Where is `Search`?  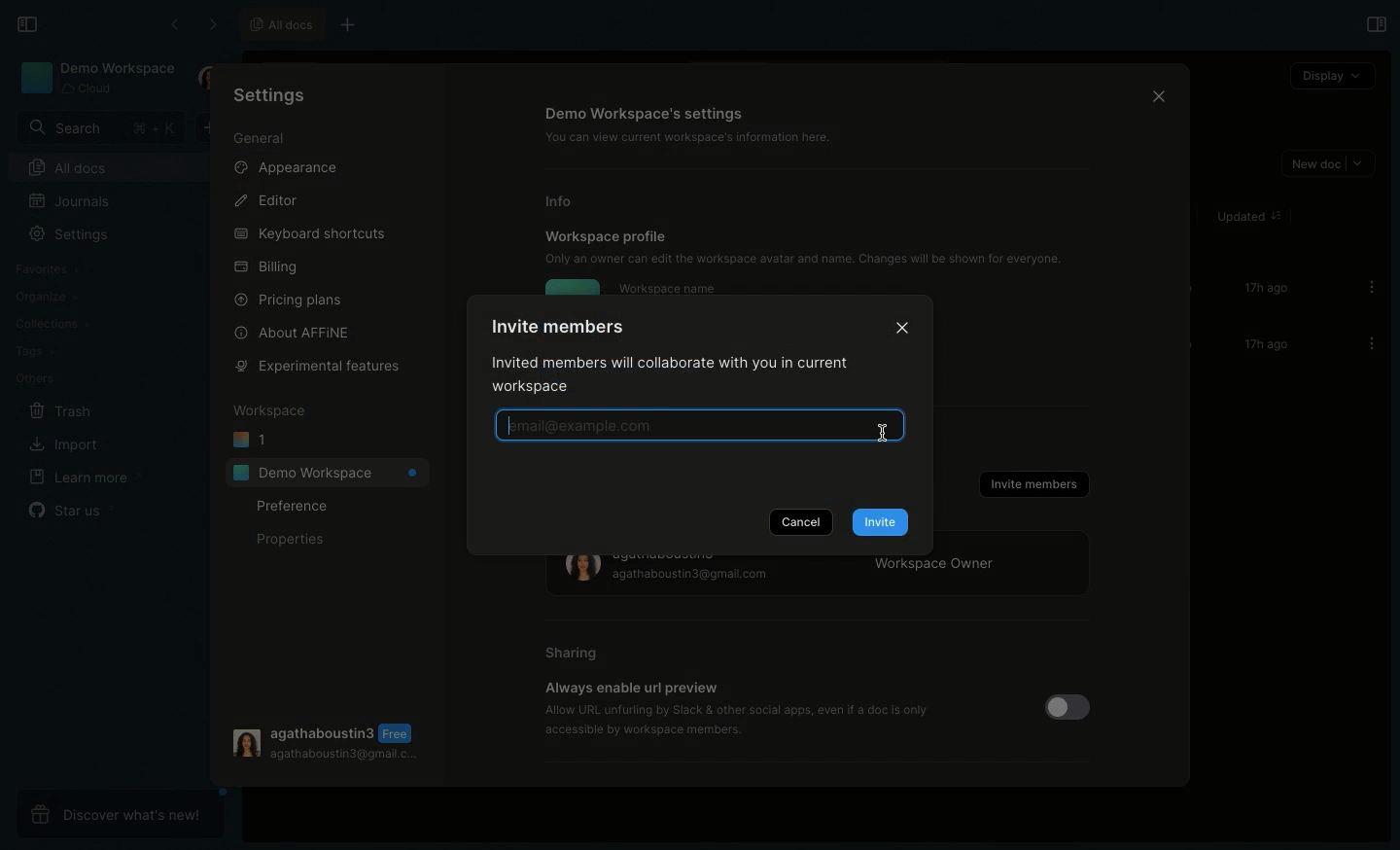 Search is located at coordinates (98, 127).